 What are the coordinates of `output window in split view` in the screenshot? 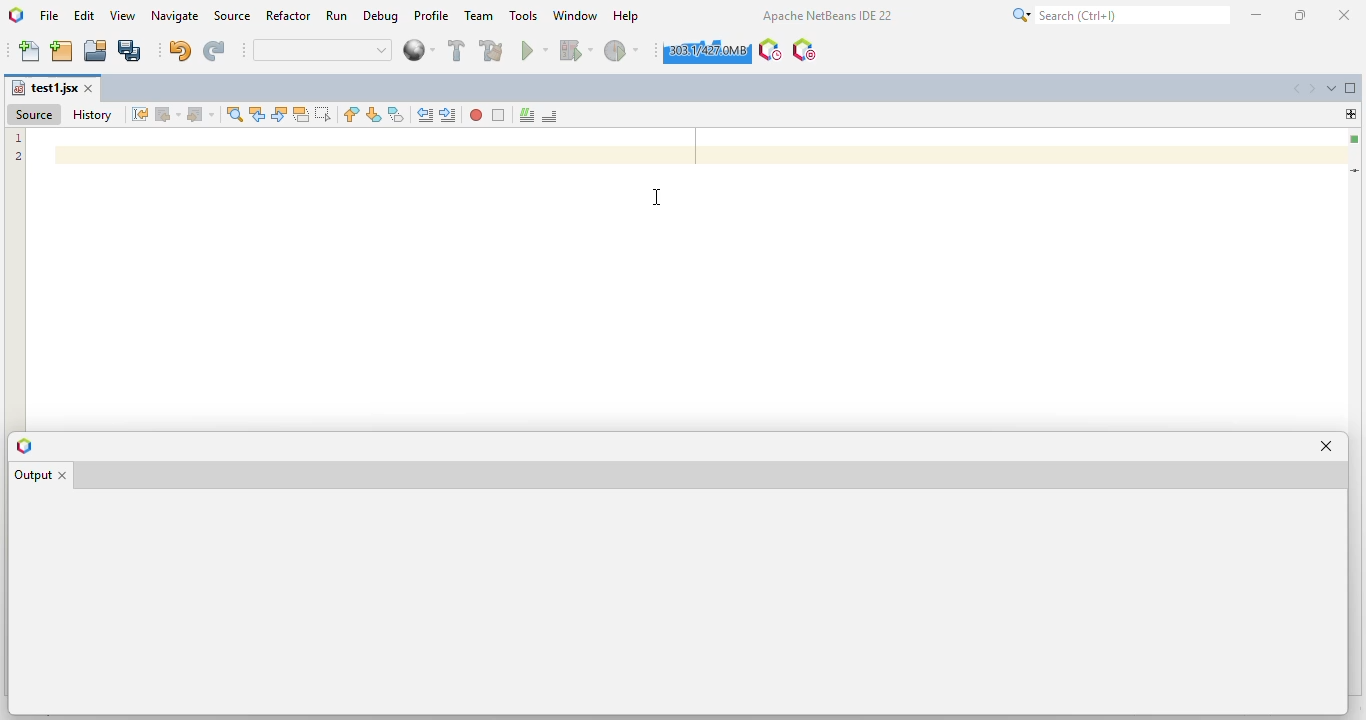 It's located at (676, 602).